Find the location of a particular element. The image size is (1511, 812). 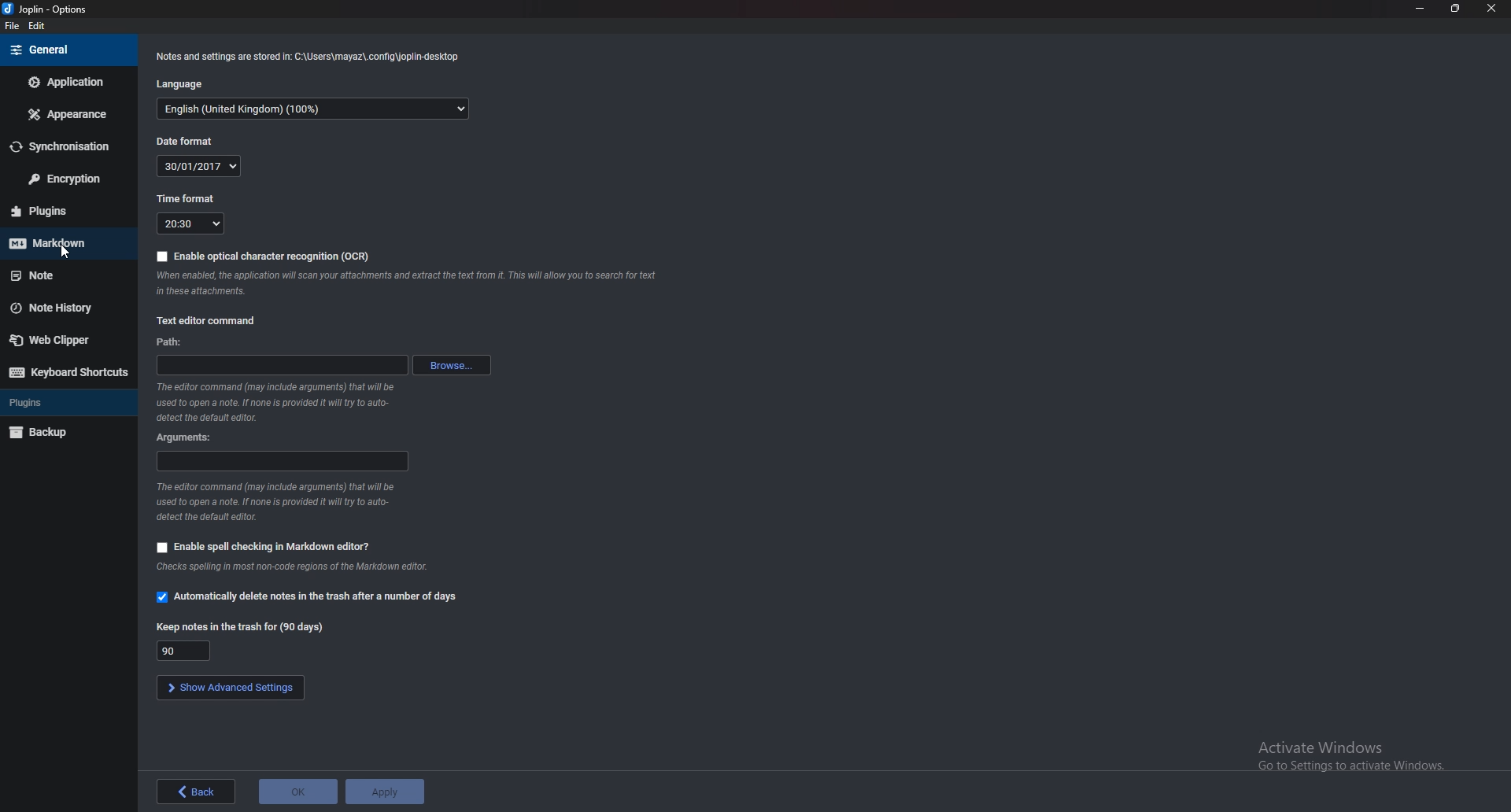

Plugins is located at coordinates (63, 402).